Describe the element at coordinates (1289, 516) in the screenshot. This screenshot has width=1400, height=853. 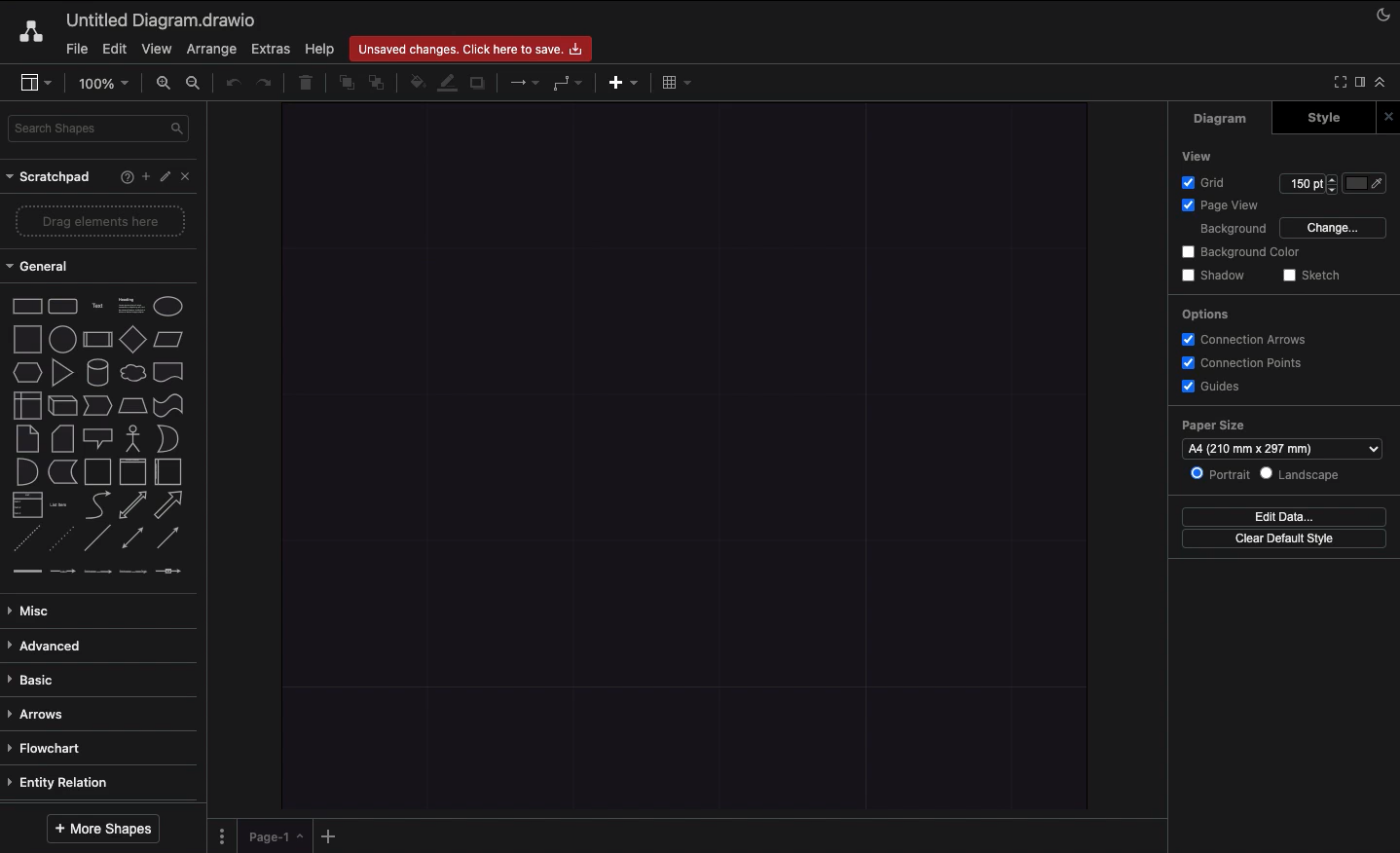
I see `Edit data` at that location.